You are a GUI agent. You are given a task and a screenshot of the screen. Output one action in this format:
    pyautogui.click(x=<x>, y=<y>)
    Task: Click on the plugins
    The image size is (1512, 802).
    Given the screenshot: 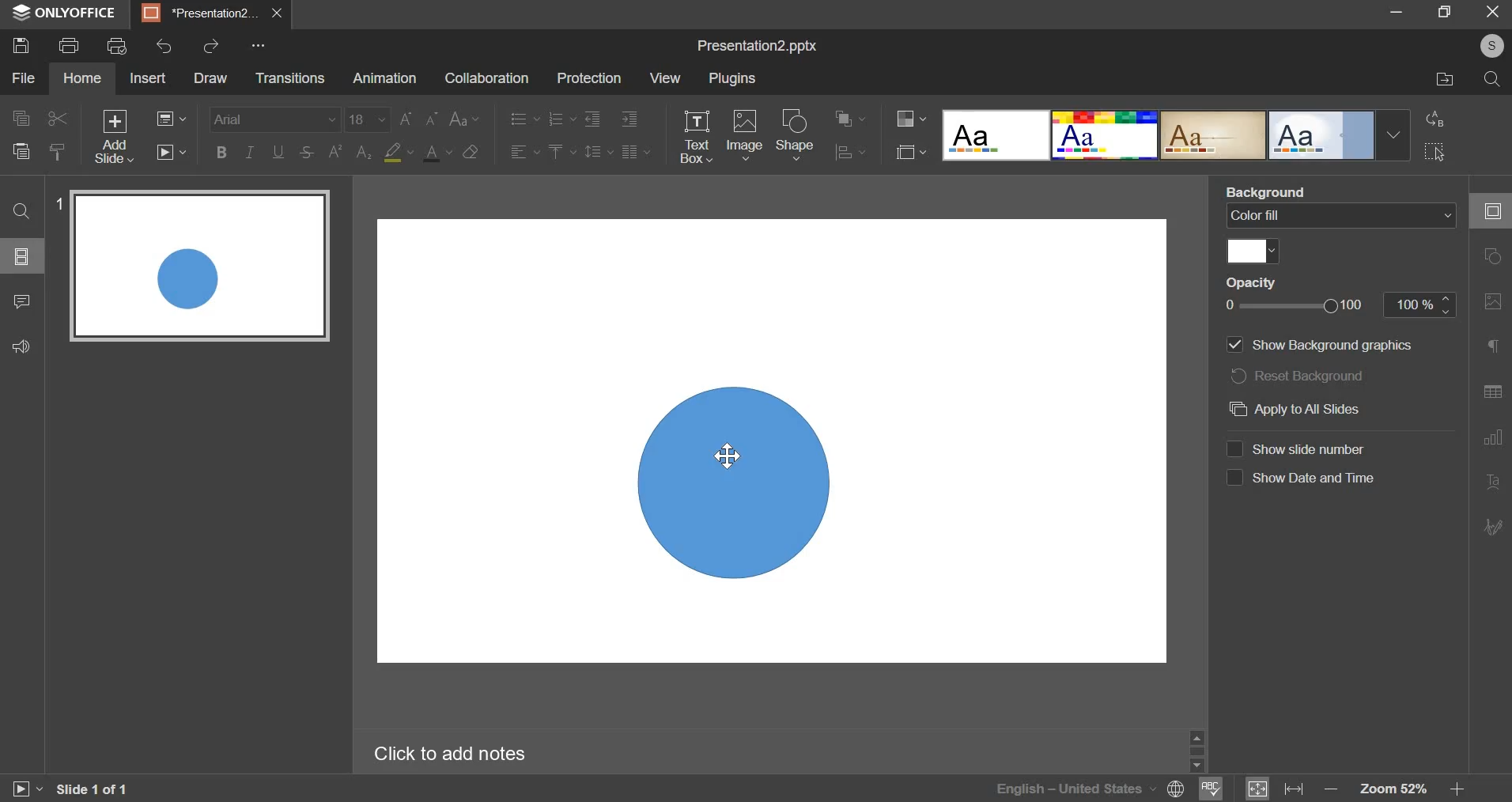 What is the action you would take?
    pyautogui.click(x=732, y=78)
    